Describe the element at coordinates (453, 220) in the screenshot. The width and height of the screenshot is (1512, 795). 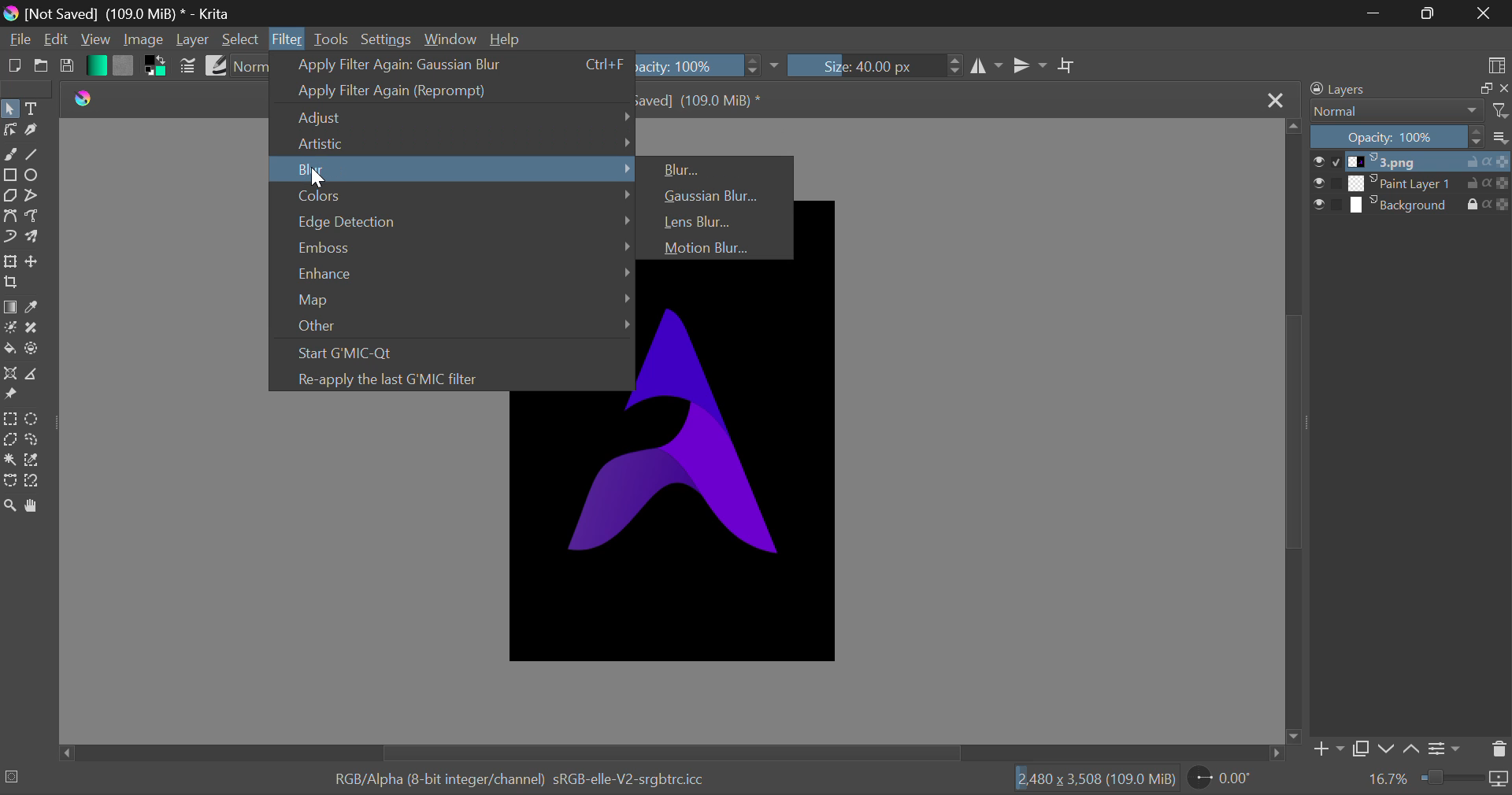
I see `Edge Detection` at that location.